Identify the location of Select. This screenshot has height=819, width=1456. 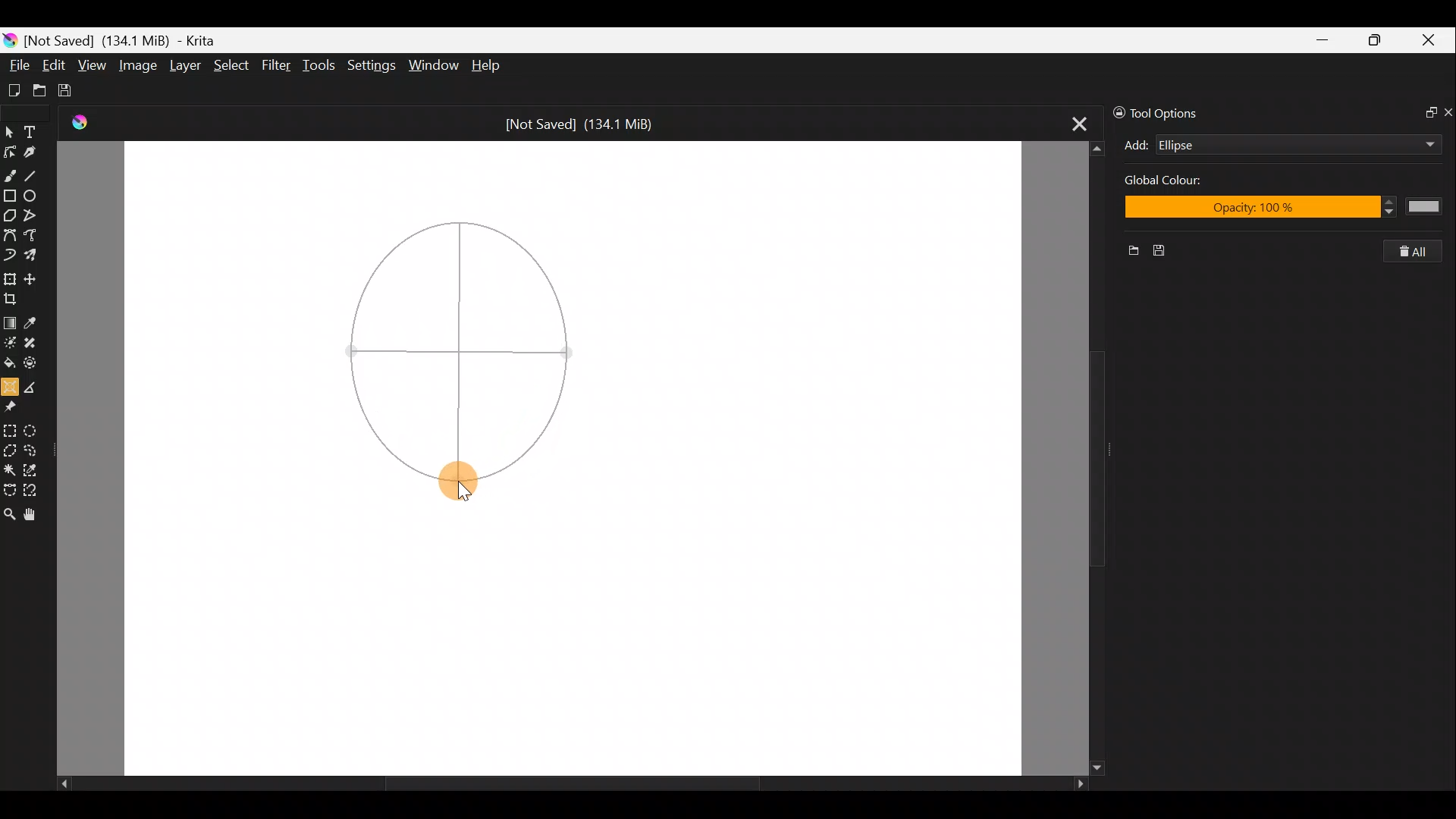
(231, 69).